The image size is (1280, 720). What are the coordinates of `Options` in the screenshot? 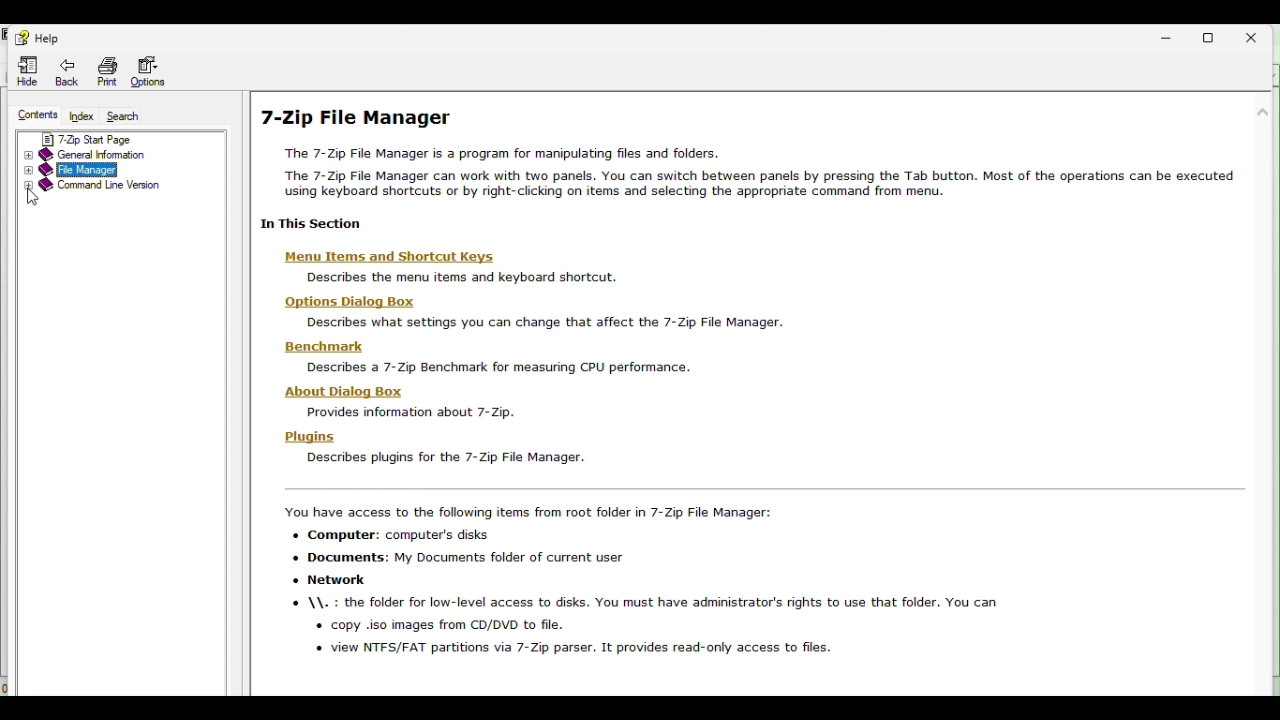 It's located at (153, 73).